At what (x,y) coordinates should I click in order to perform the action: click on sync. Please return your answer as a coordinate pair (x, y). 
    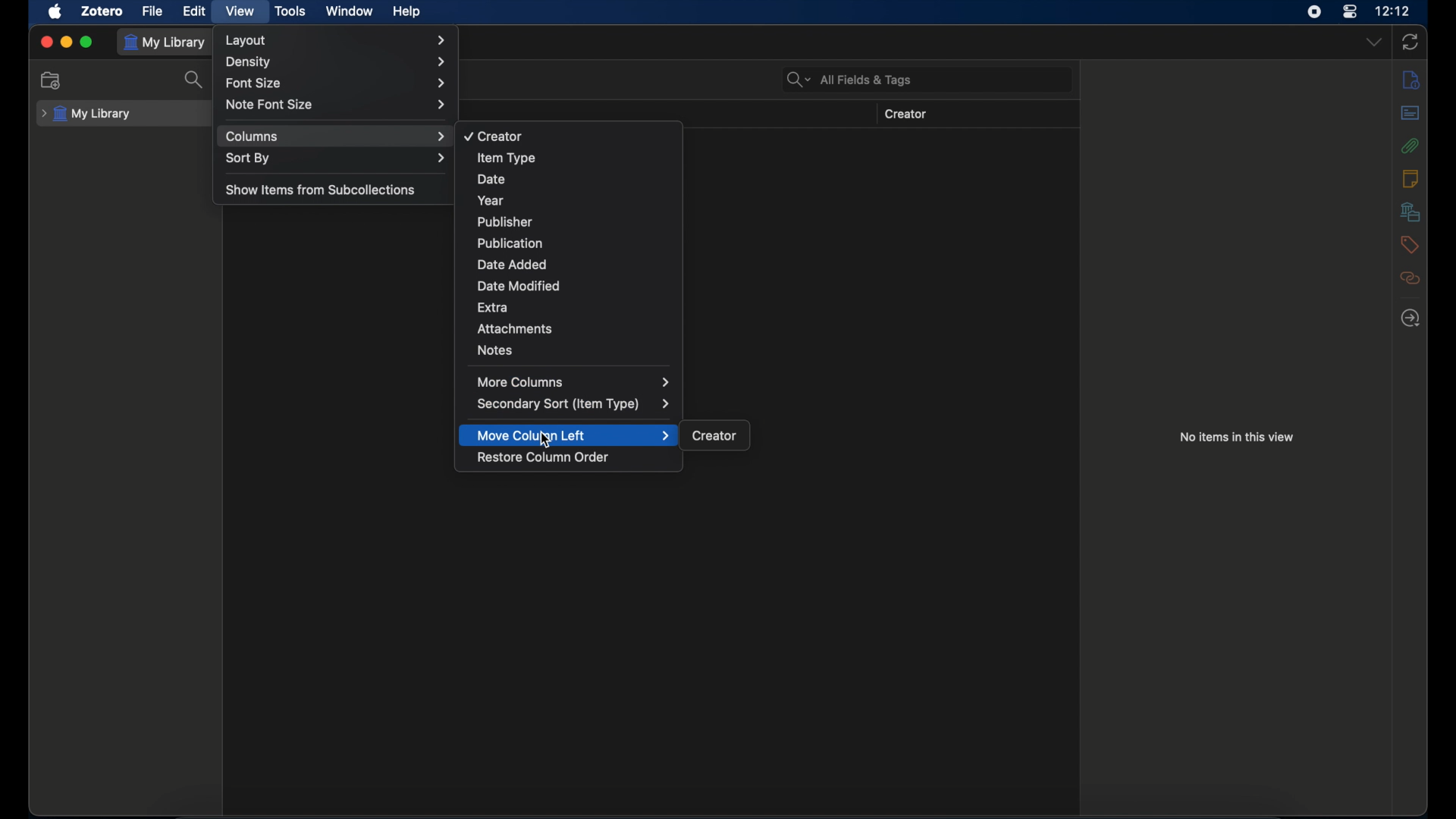
    Looking at the image, I should click on (1410, 42).